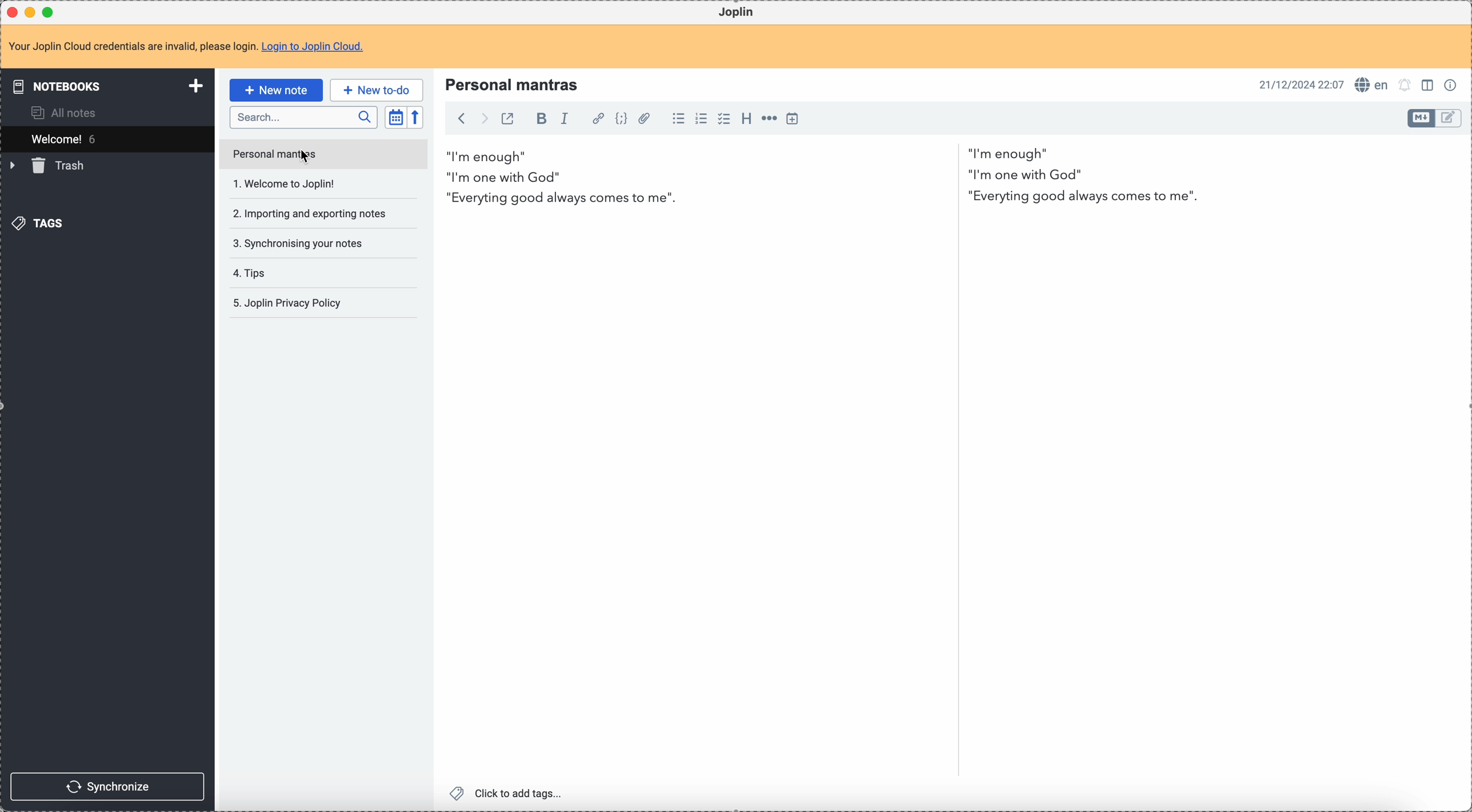 The height and width of the screenshot is (812, 1472). Describe the element at coordinates (509, 120) in the screenshot. I see `toggle external editing` at that location.